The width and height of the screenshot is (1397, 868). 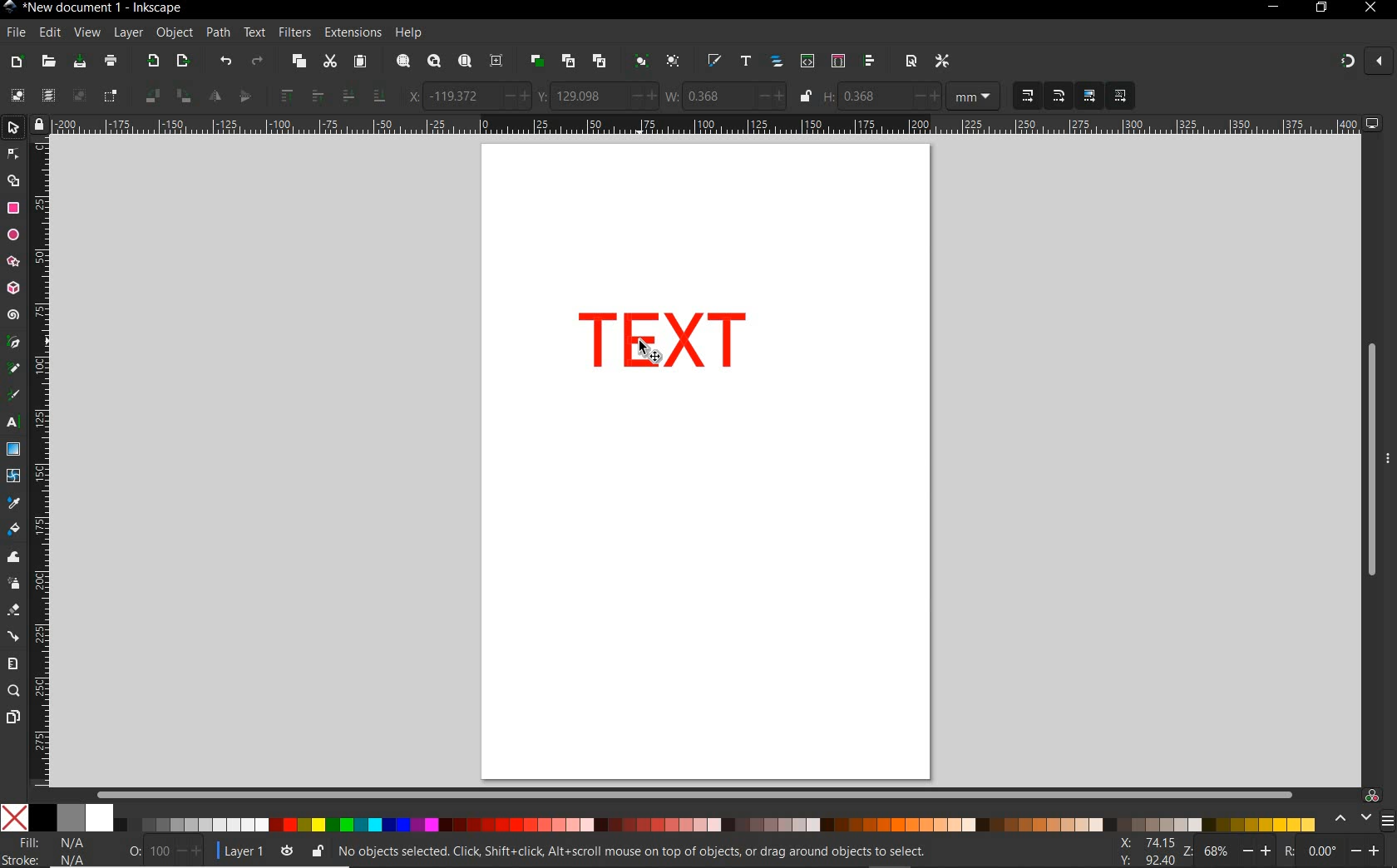 I want to click on OPEN FILE DIALOG, so click(x=48, y=62).